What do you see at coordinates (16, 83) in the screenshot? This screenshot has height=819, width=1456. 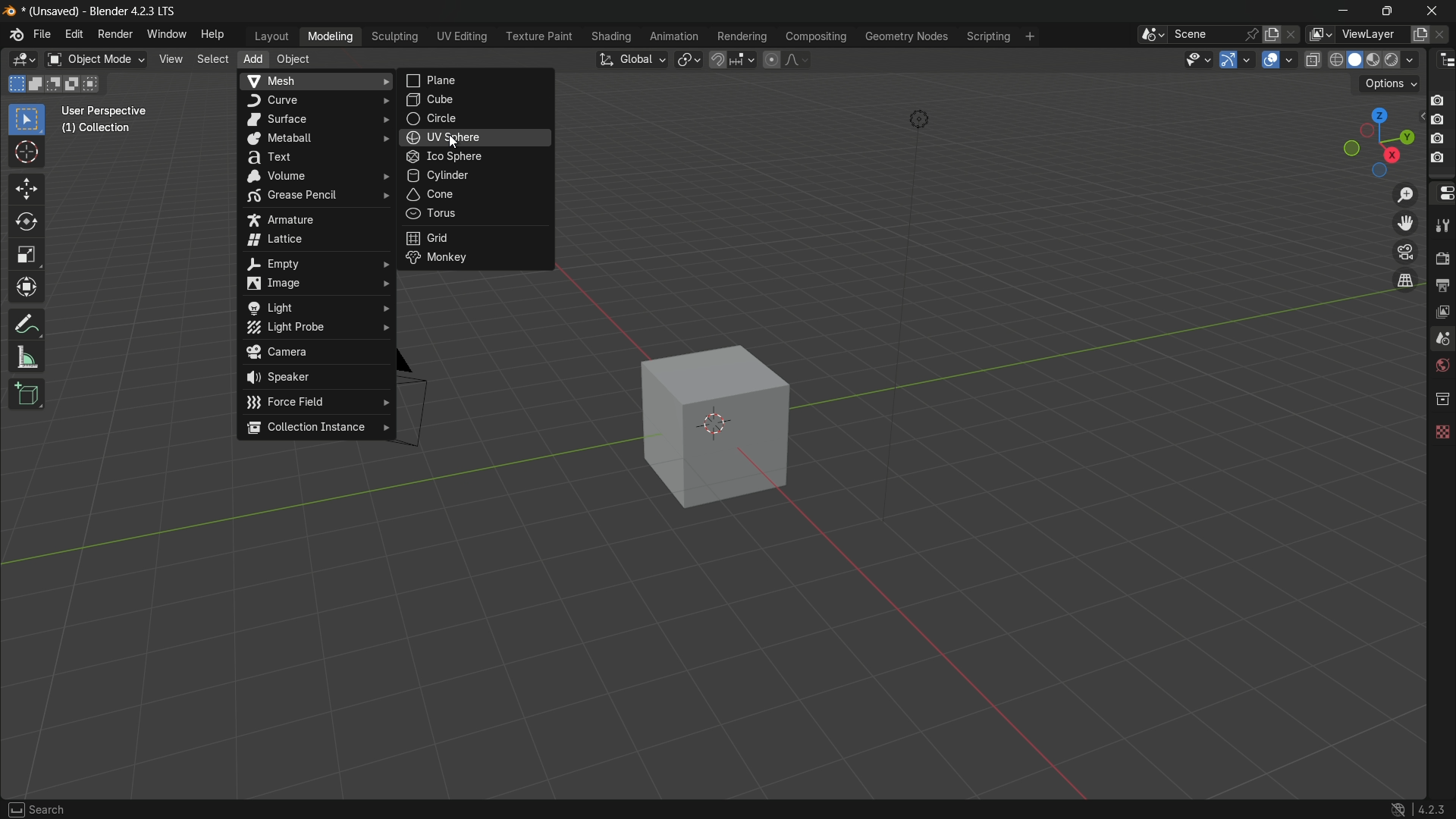 I see `select new selection` at bounding box center [16, 83].